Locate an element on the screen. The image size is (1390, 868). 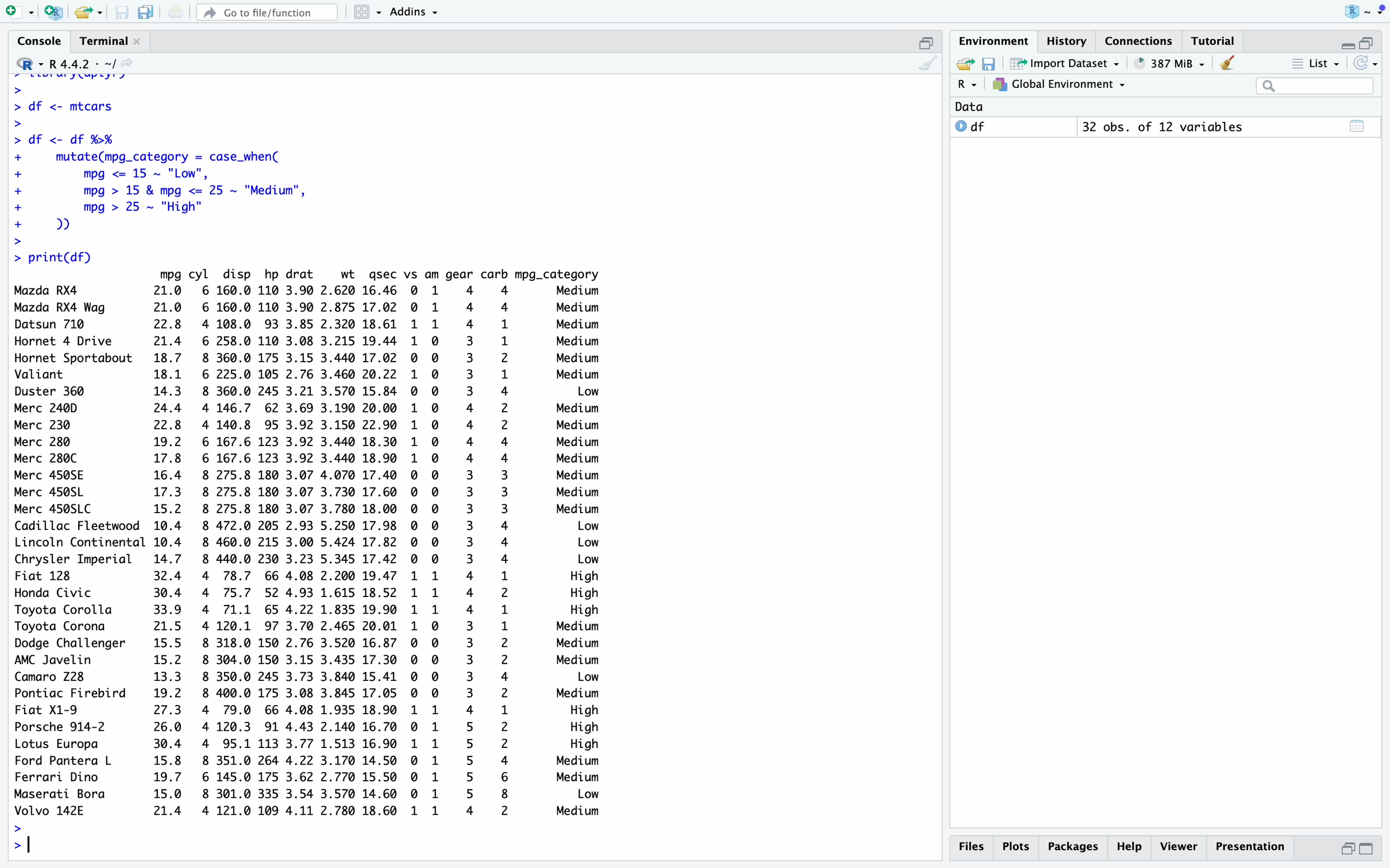
clean is located at coordinates (928, 63).